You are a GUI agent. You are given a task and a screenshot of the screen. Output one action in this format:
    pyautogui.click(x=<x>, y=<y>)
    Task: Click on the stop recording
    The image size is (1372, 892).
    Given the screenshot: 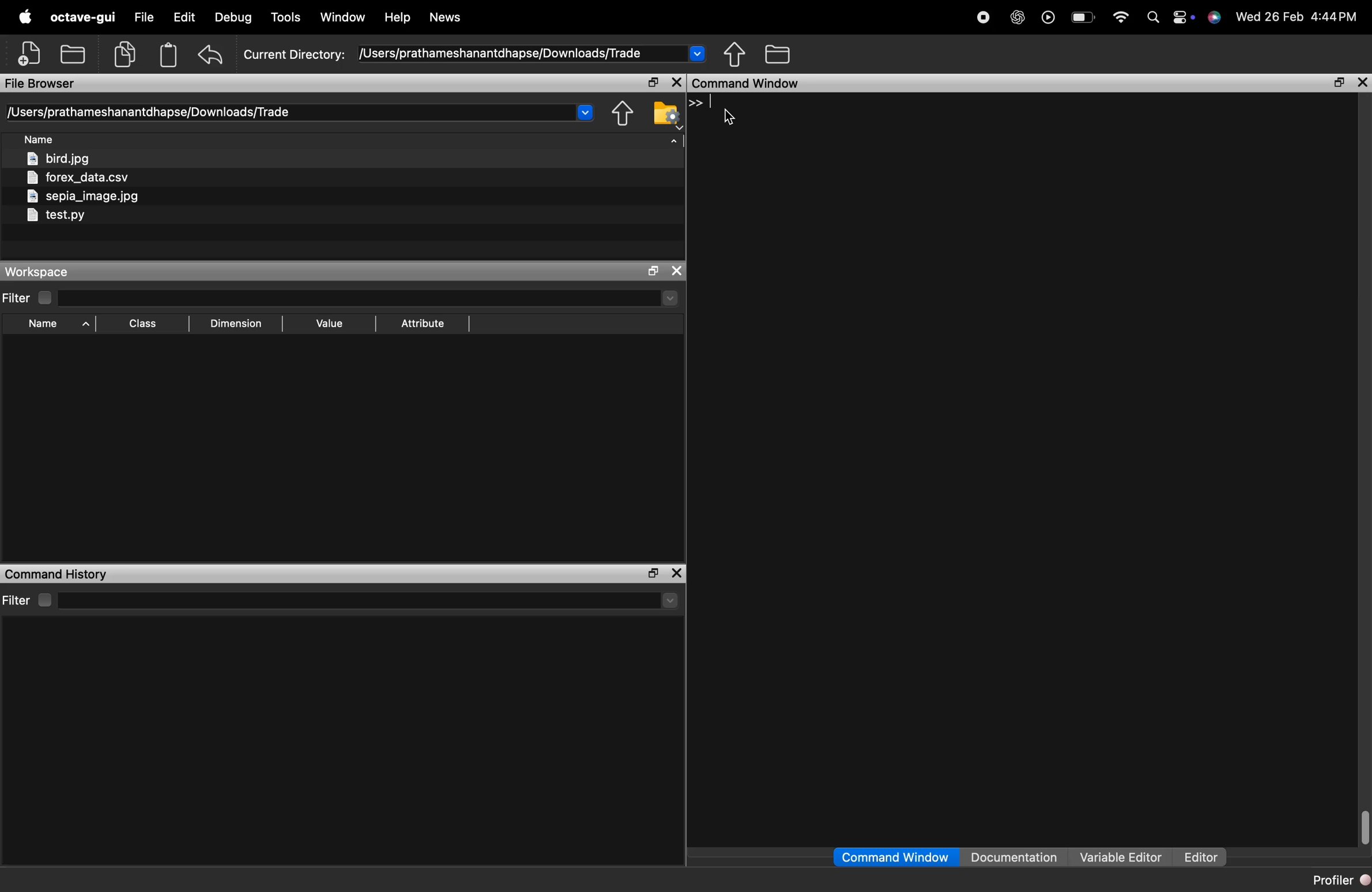 What is the action you would take?
    pyautogui.click(x=984, y=19)
    